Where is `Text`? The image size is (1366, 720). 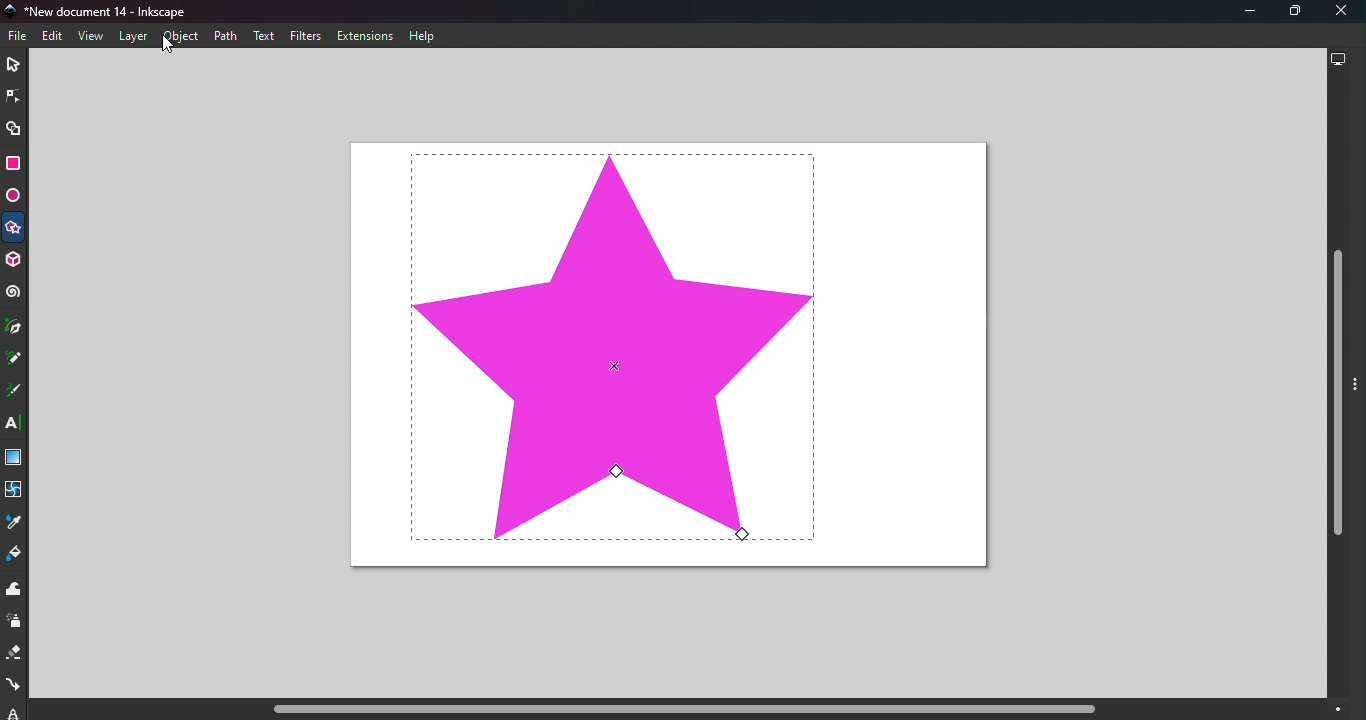
Text is located at coordinates (264, 36).